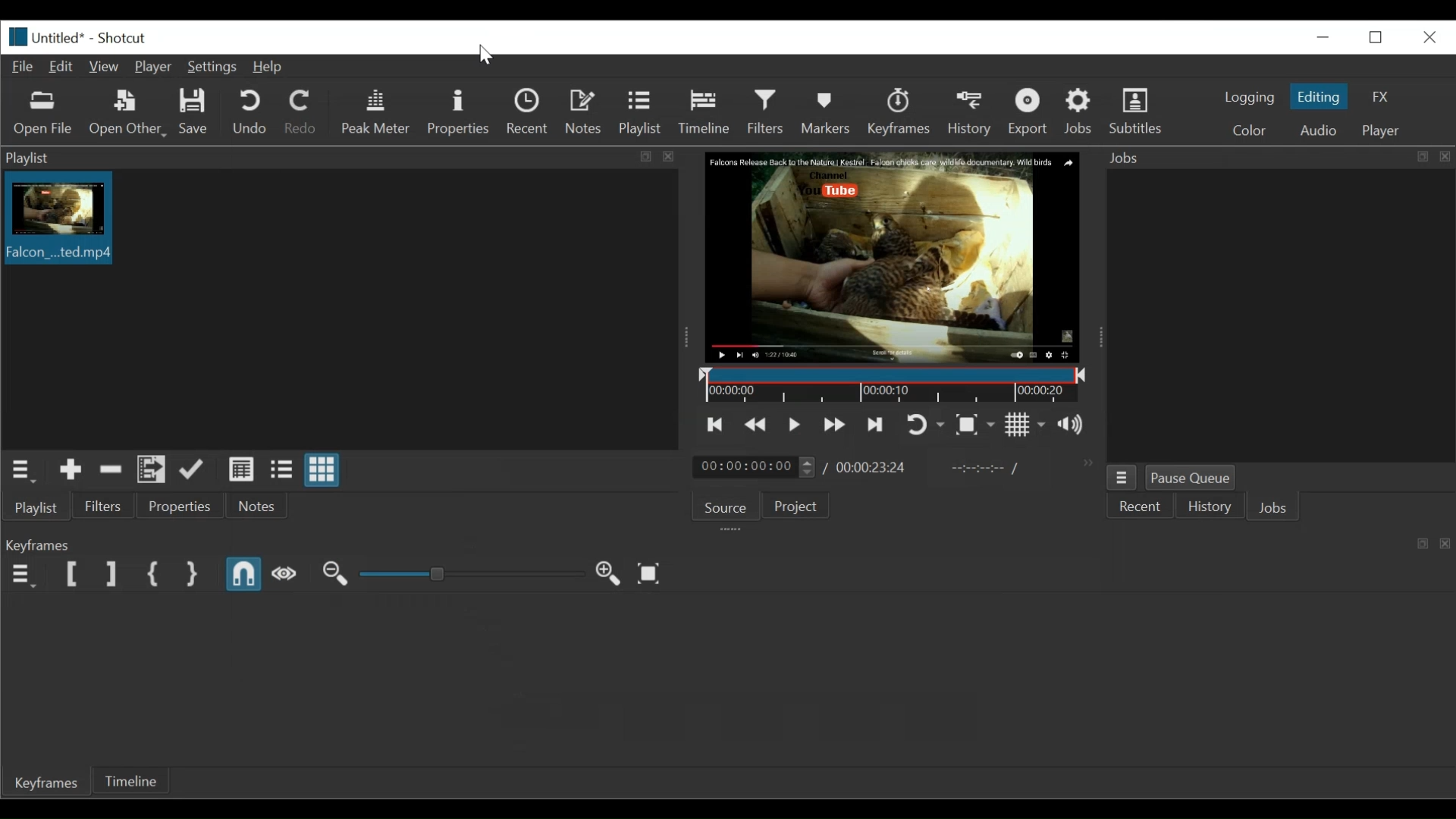  What do you see at coordinates (51, 785) in the screenshot?
I see `Keyframe` at bounding box center [51, 785].